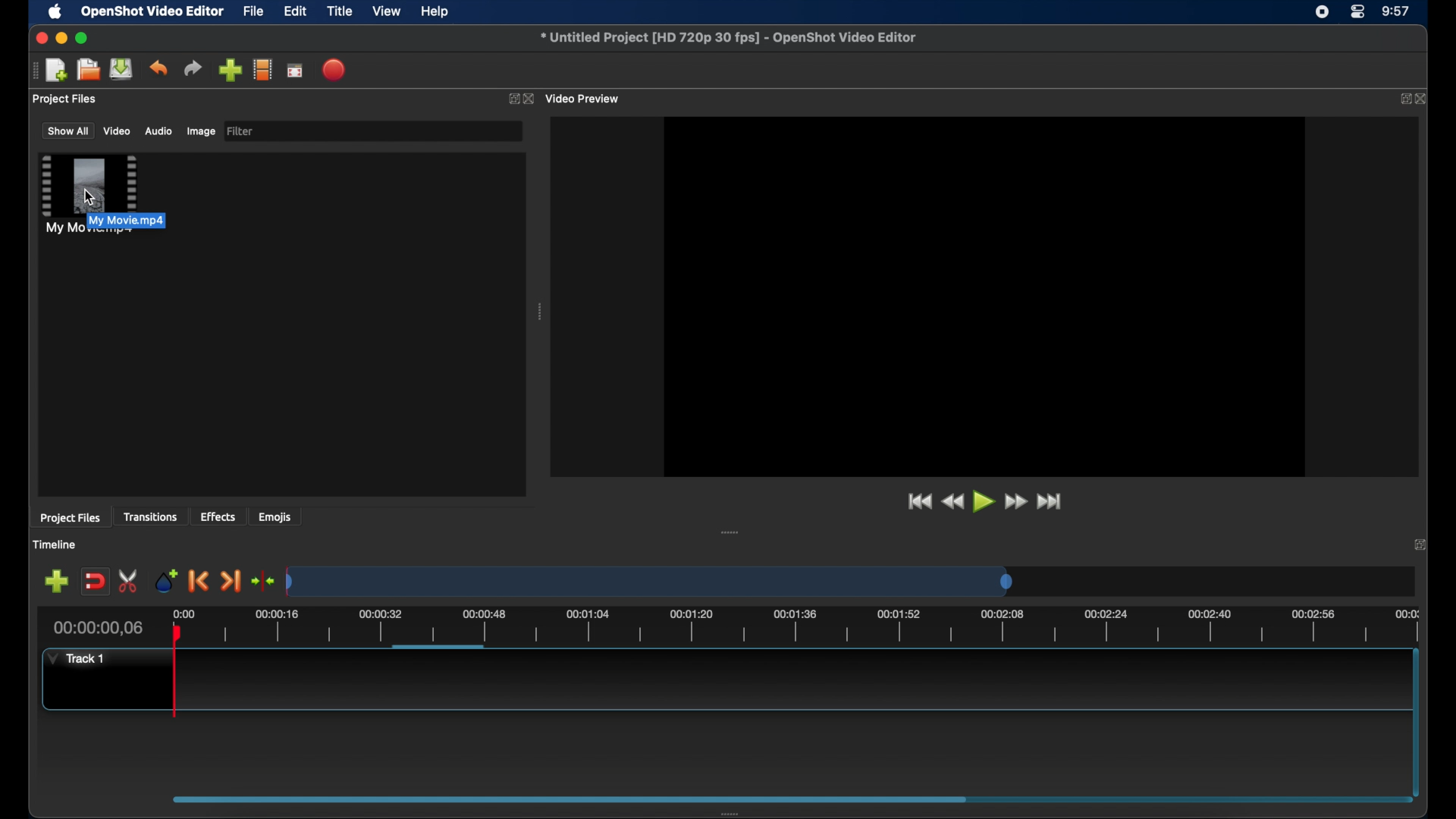  Describe the element at coordinates (735, 813) in the screenshot. I see `drag handle` at that location.